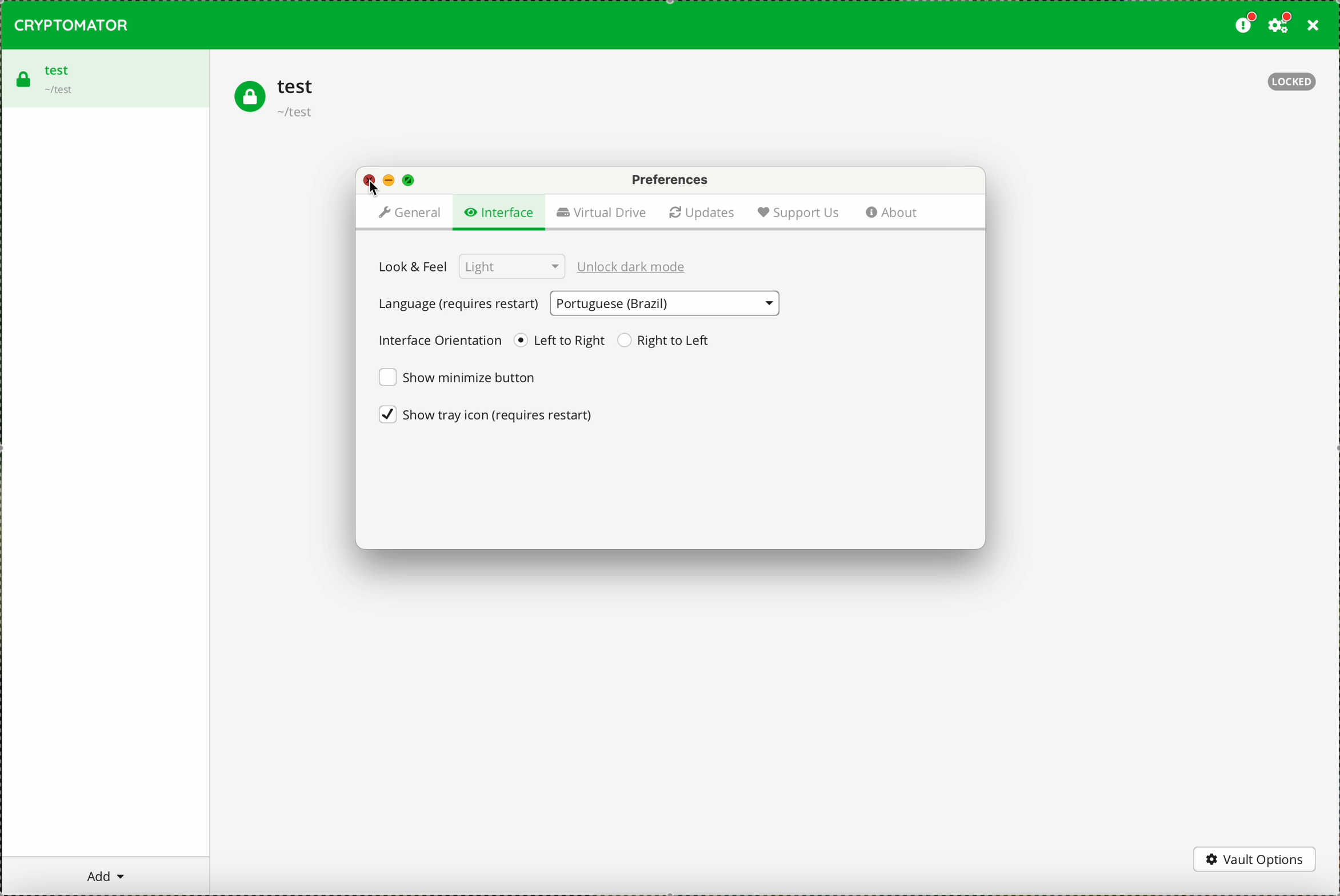 The height and width of the screenshot is (896, 1340). I want to click on show try icon, so click(486, 414).